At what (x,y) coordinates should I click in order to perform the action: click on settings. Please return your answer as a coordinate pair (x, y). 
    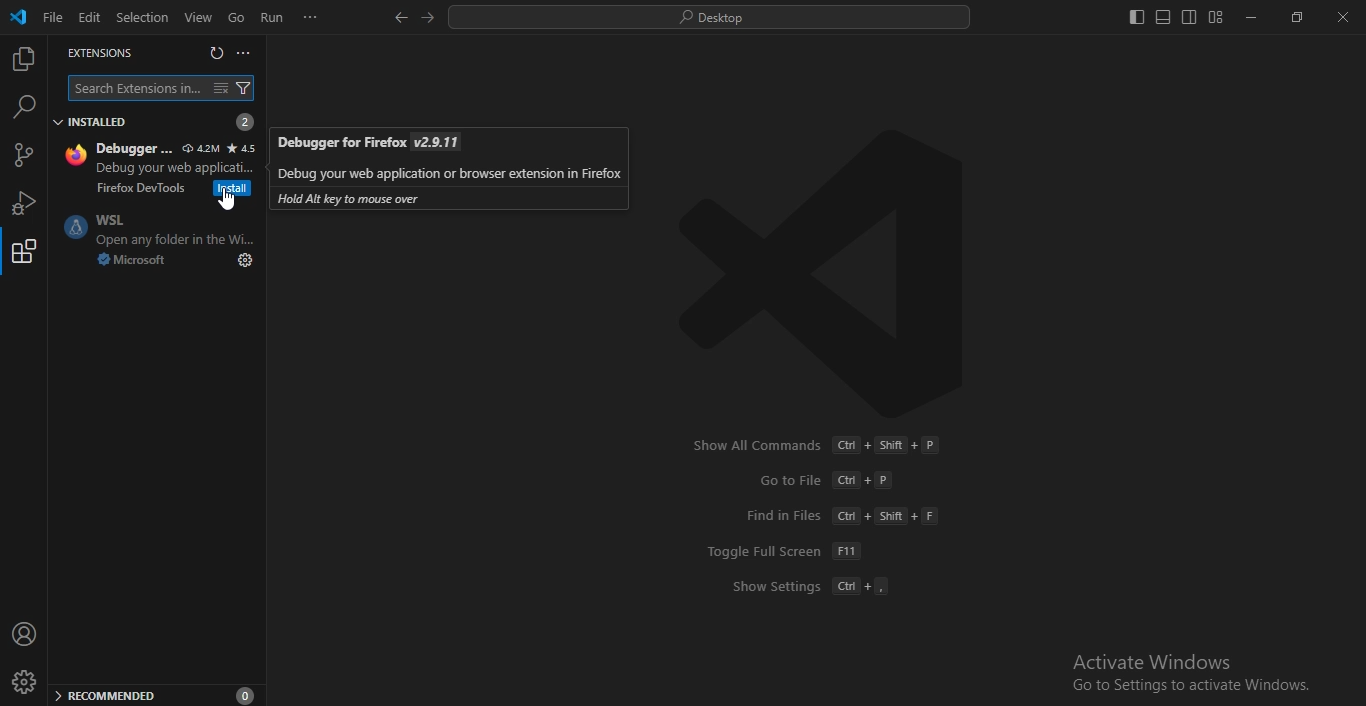
    Looking at the image, I should click on (242, 260).